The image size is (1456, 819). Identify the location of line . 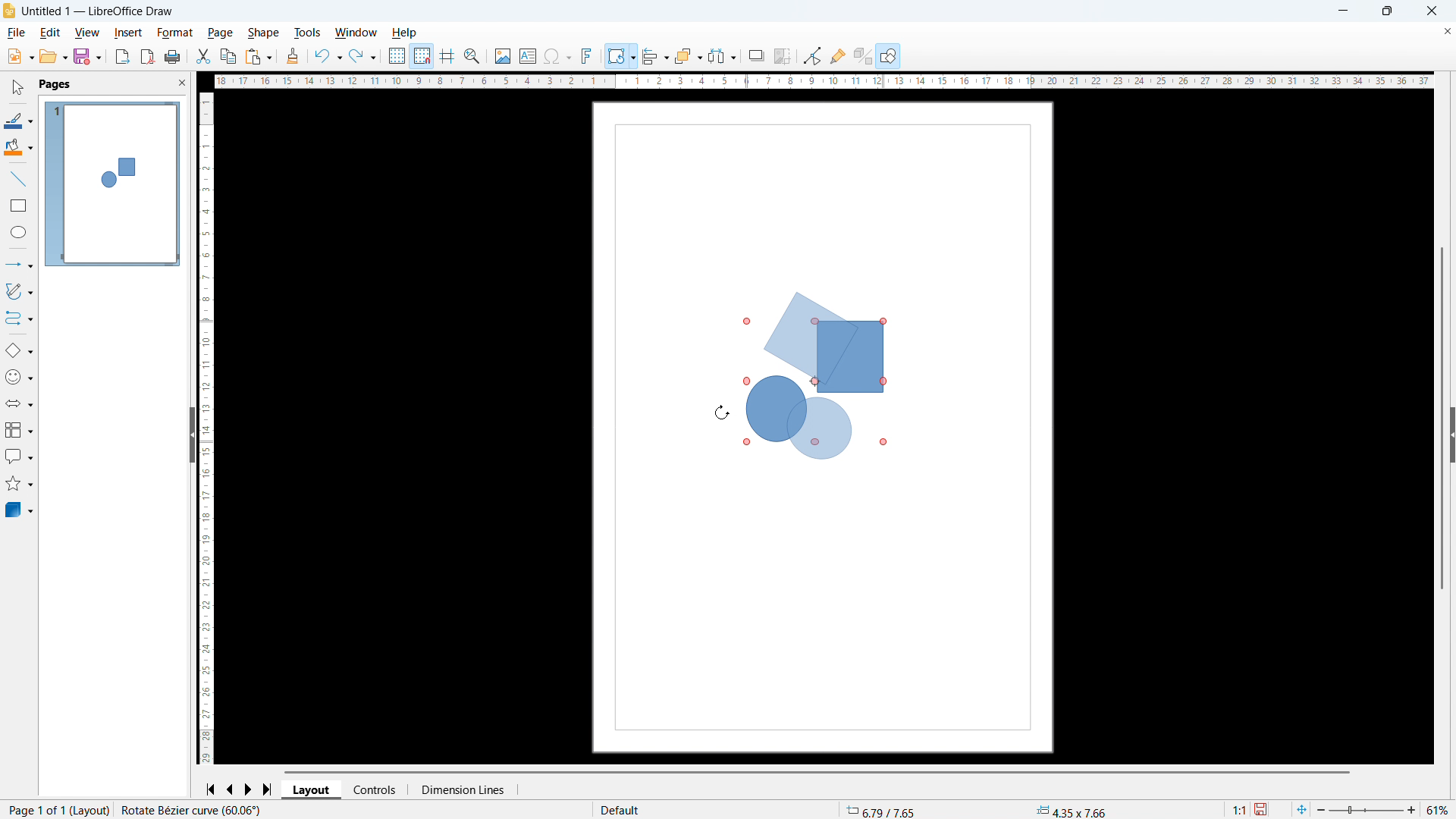
(18, 178).